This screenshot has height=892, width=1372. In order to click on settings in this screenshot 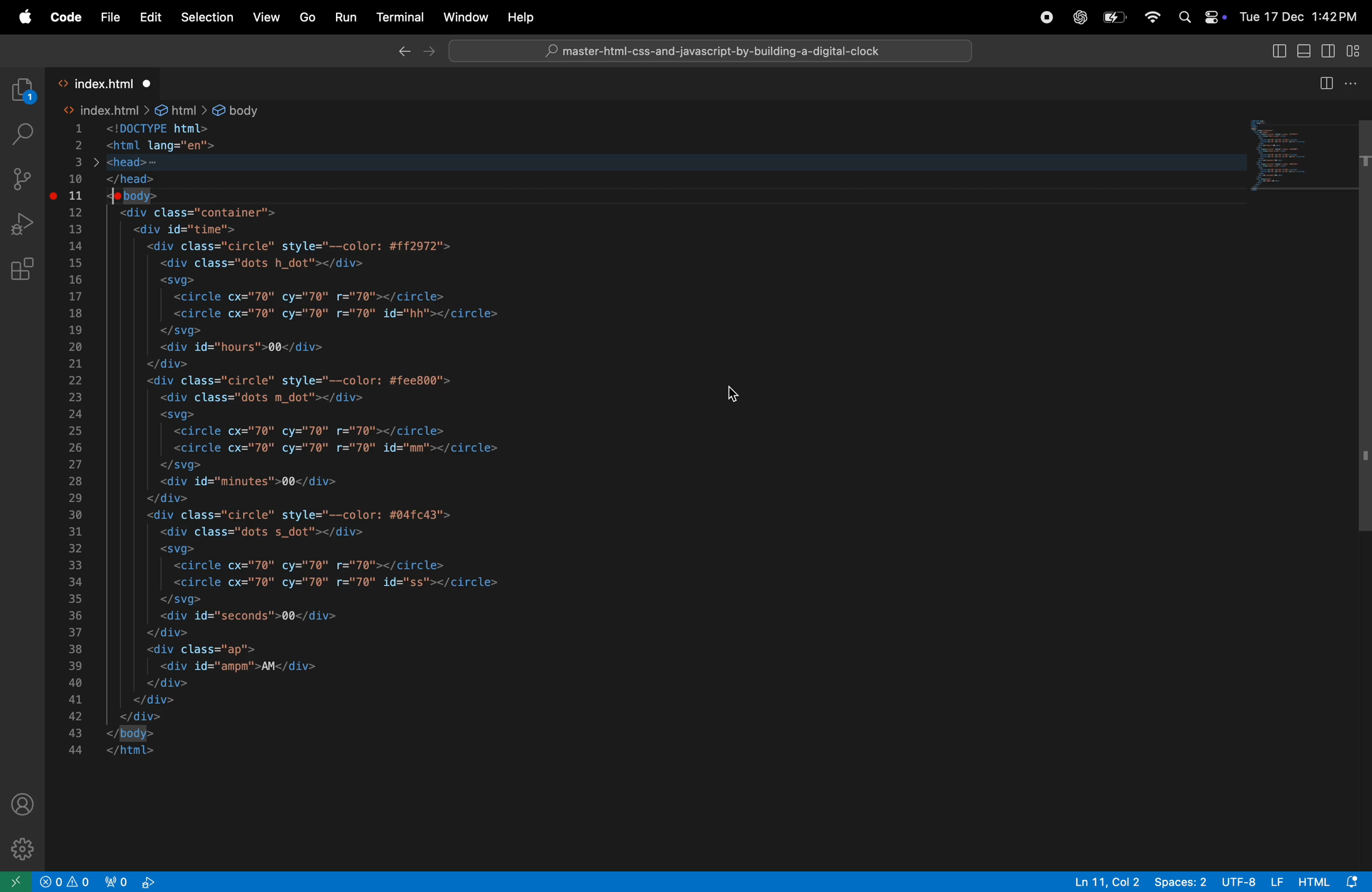, I will do `click(20, 847)`.